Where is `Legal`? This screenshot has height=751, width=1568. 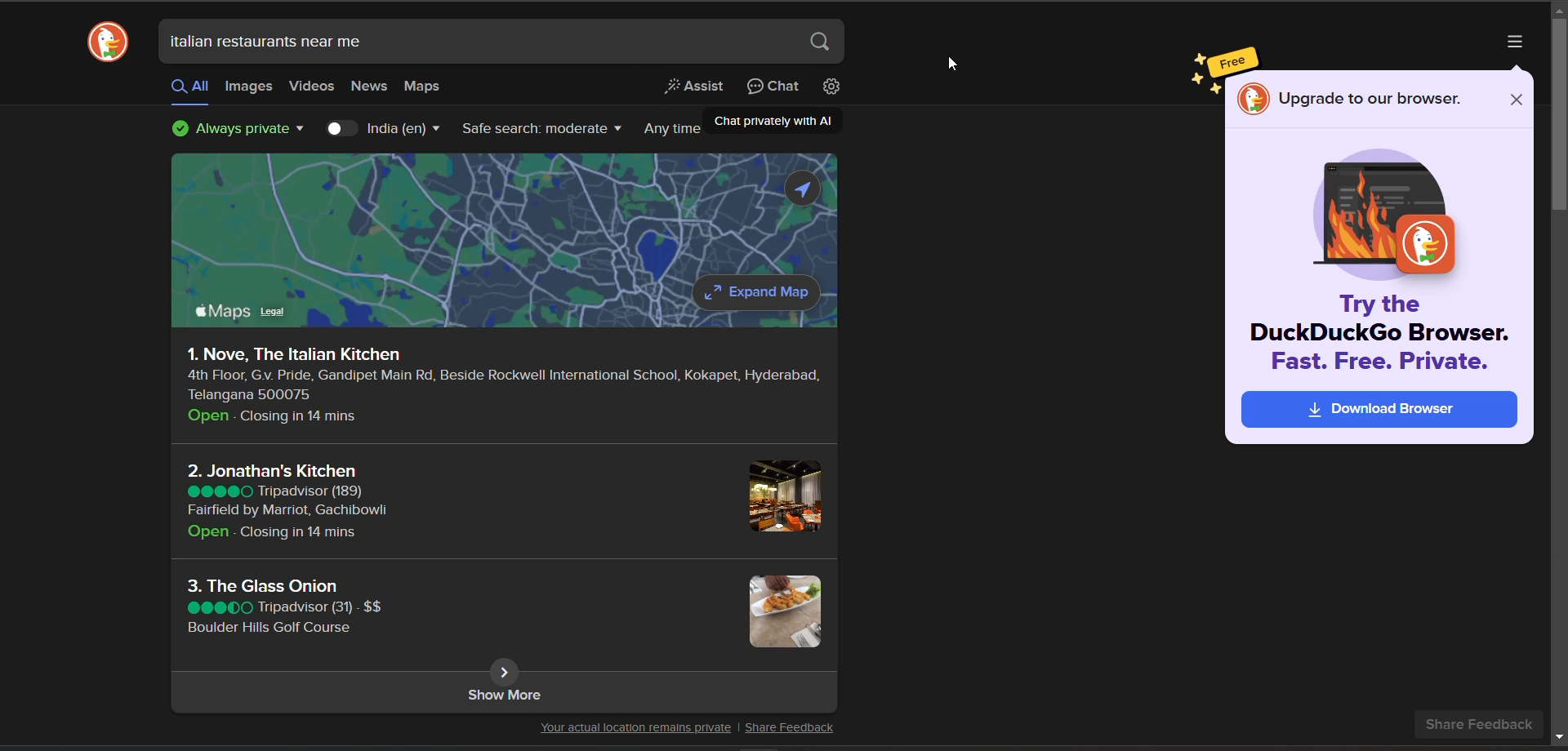 Legal is located at coordinates (272, 312).